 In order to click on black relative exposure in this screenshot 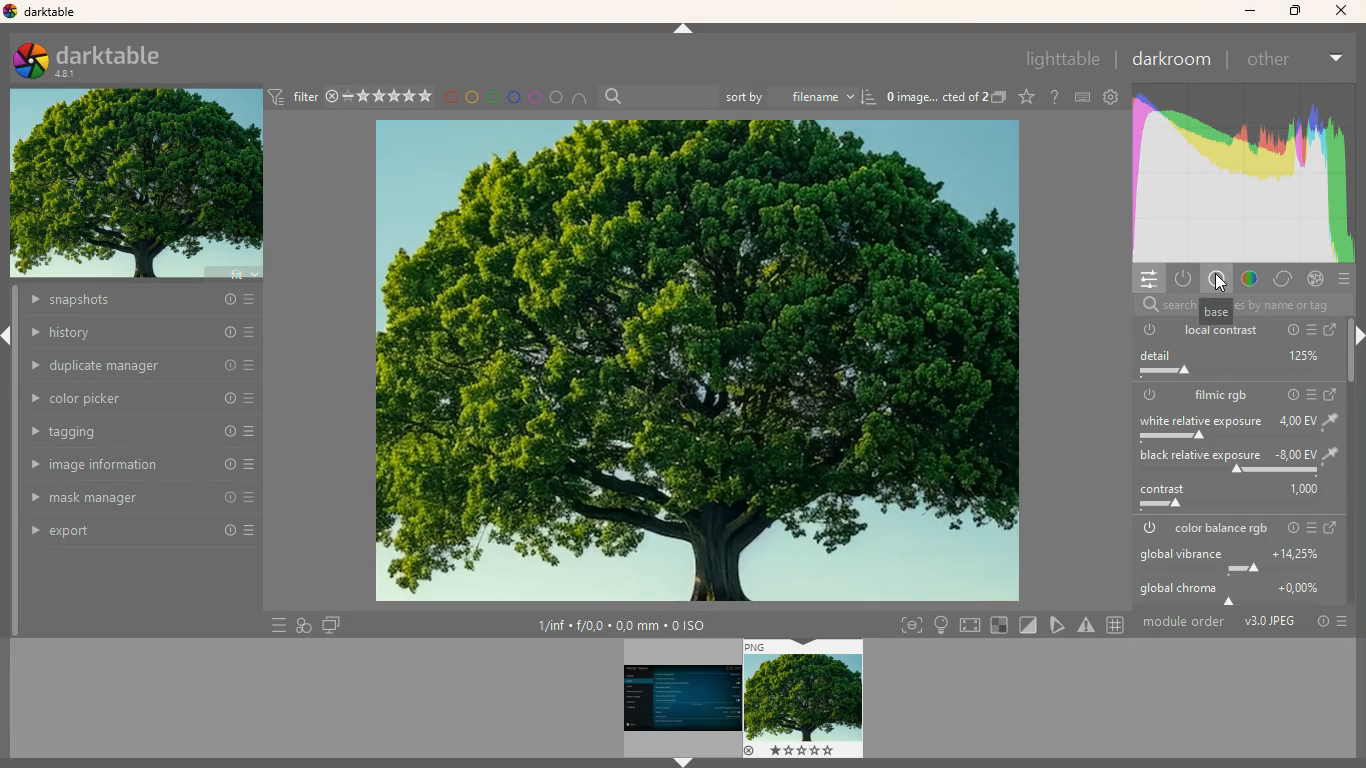, I will do `click(1235, 460)`.